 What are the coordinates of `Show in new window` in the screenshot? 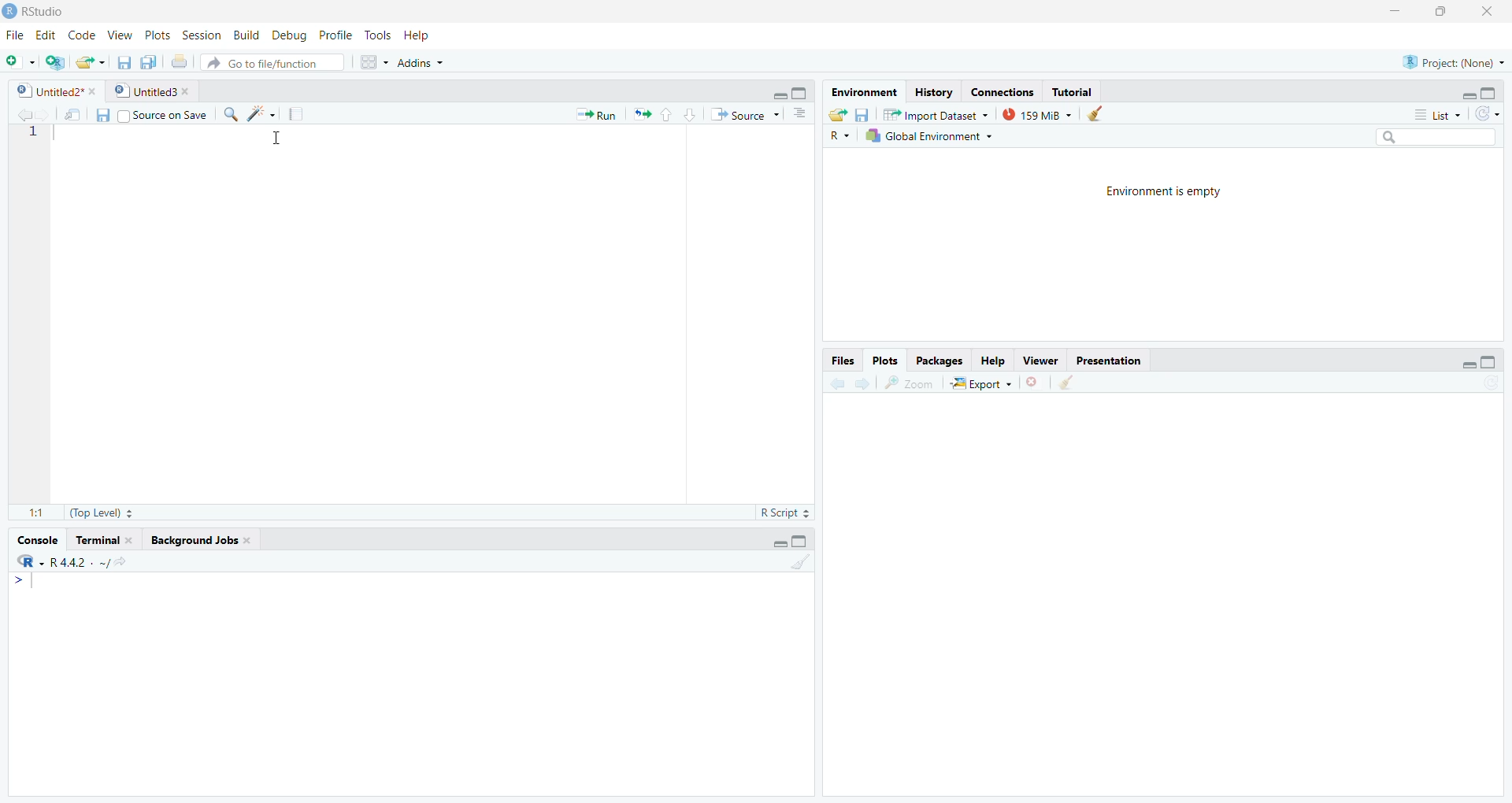 It's located at (72, 117).